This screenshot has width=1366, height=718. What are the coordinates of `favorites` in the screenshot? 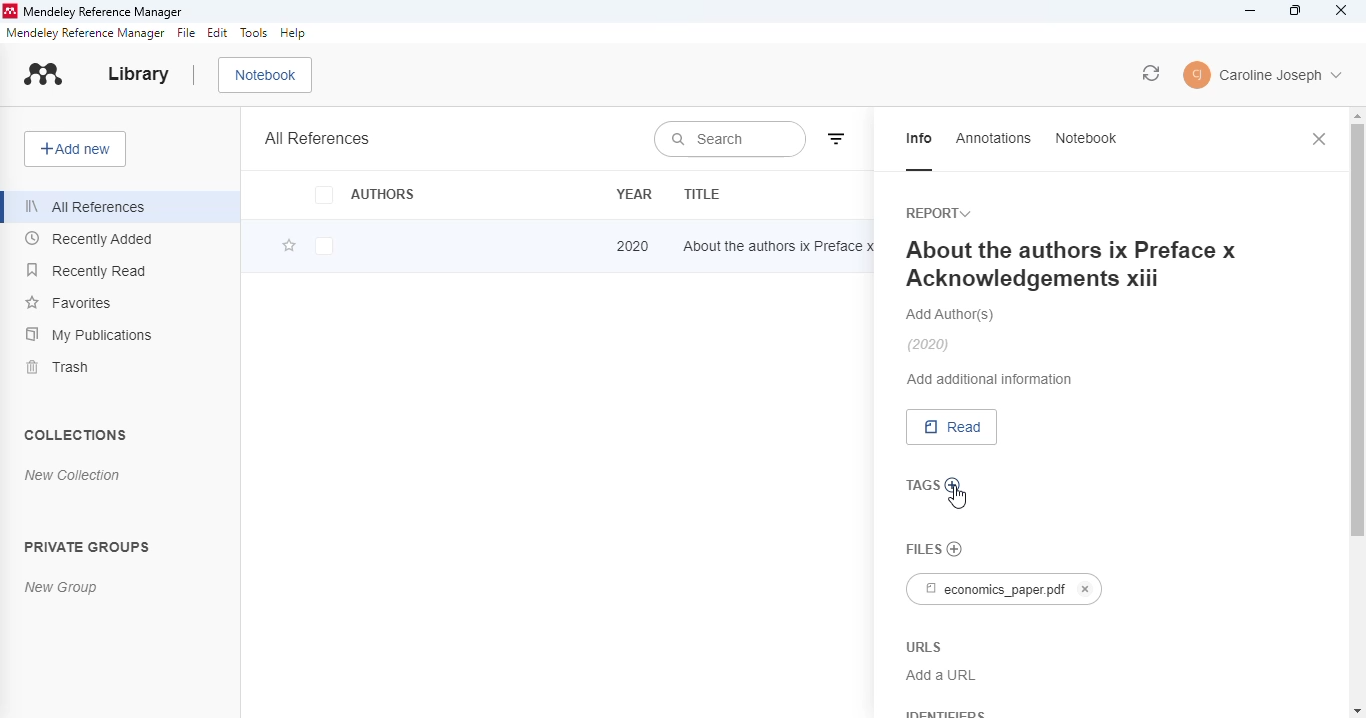 It's located at (68, 301).